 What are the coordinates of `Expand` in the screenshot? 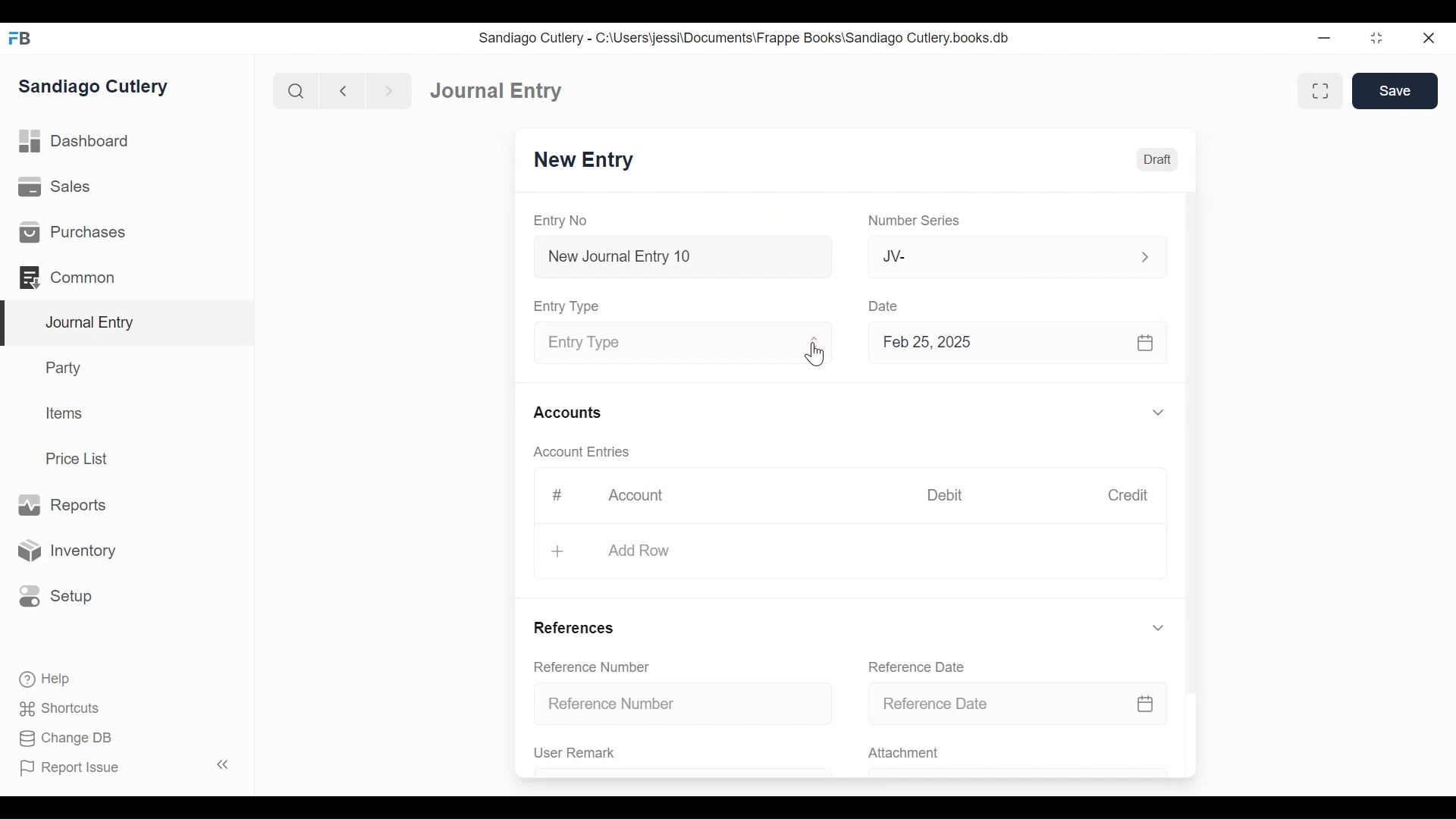 It's located at (816, 345).